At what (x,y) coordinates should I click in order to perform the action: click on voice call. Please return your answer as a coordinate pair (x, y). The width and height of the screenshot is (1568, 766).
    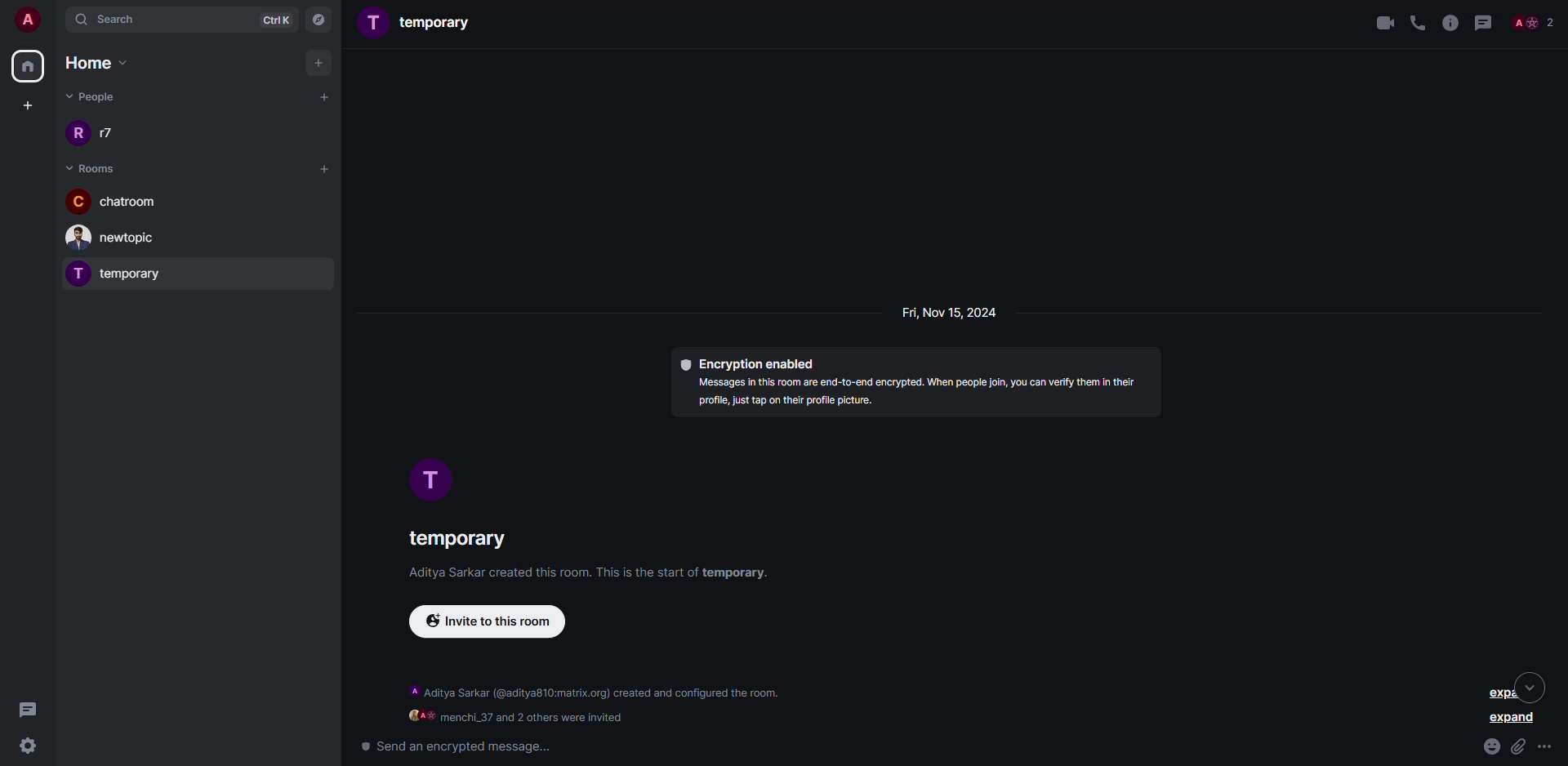
    Looking at the image, I should click on (1416, 22).